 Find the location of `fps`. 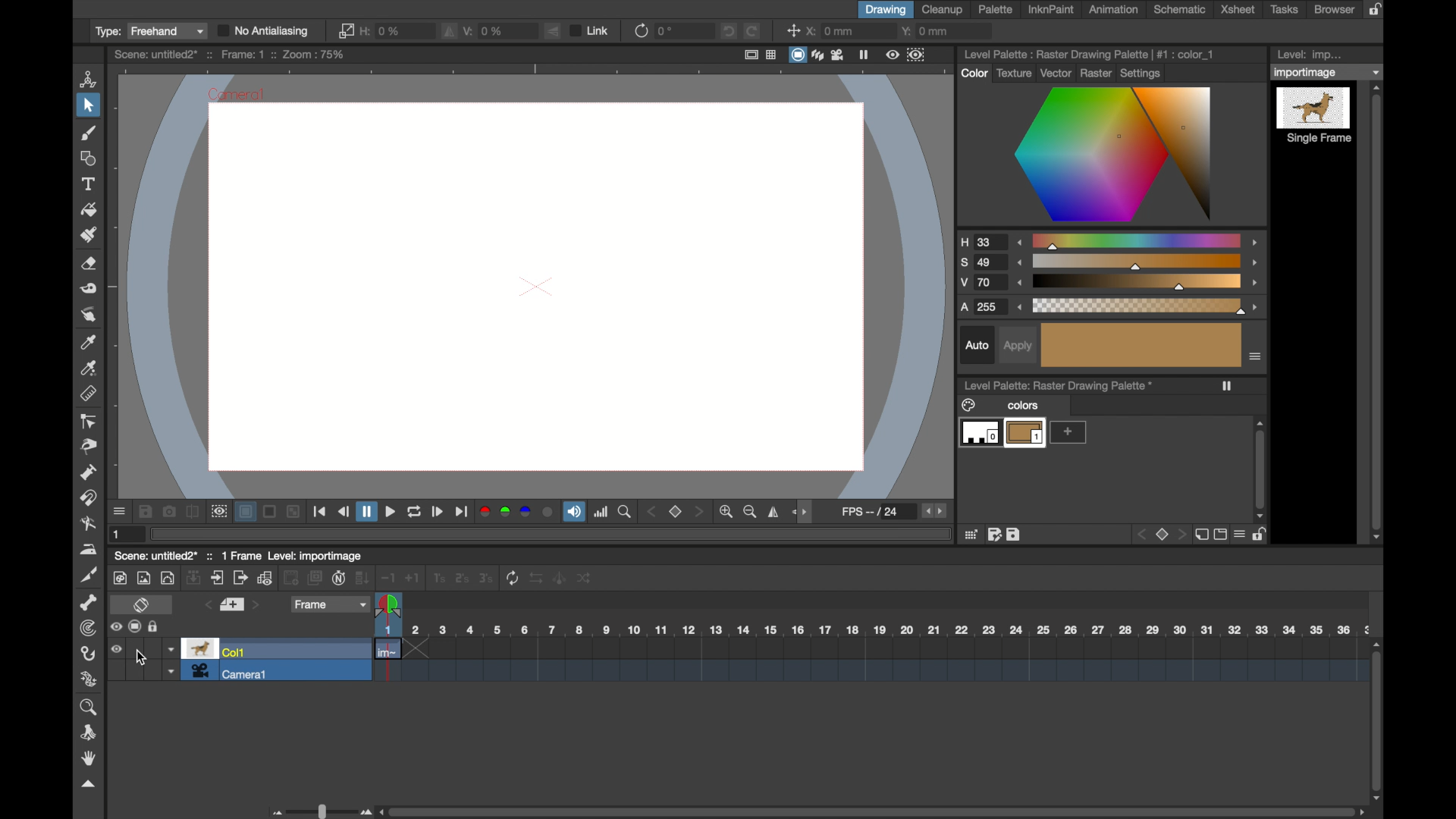

fps is located at coordinates (871, 511).